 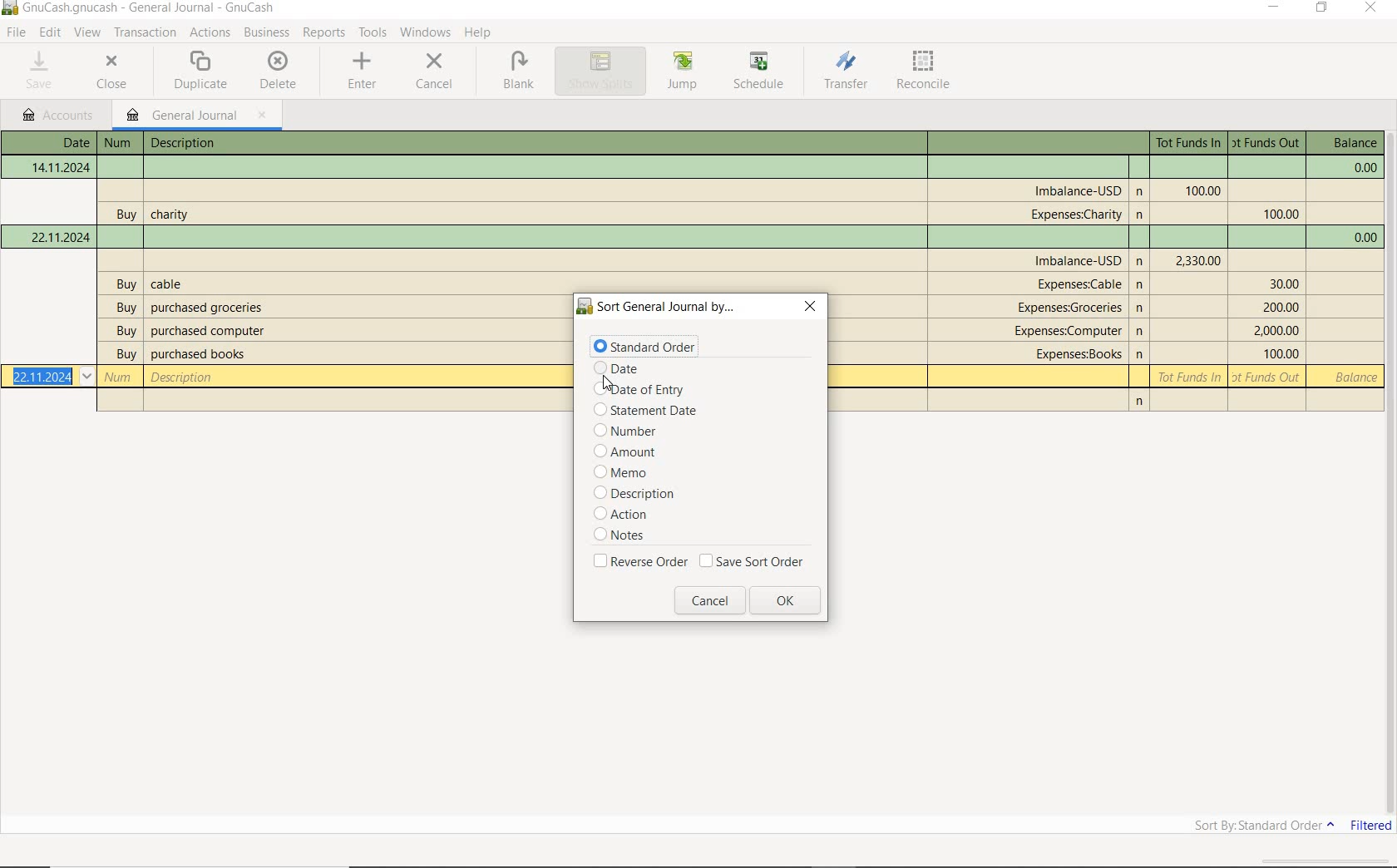 What do you see at coordinates (1267, 143) in the screenshot?
I see `Tot Funds Out` at bounding box center [1267, 143].